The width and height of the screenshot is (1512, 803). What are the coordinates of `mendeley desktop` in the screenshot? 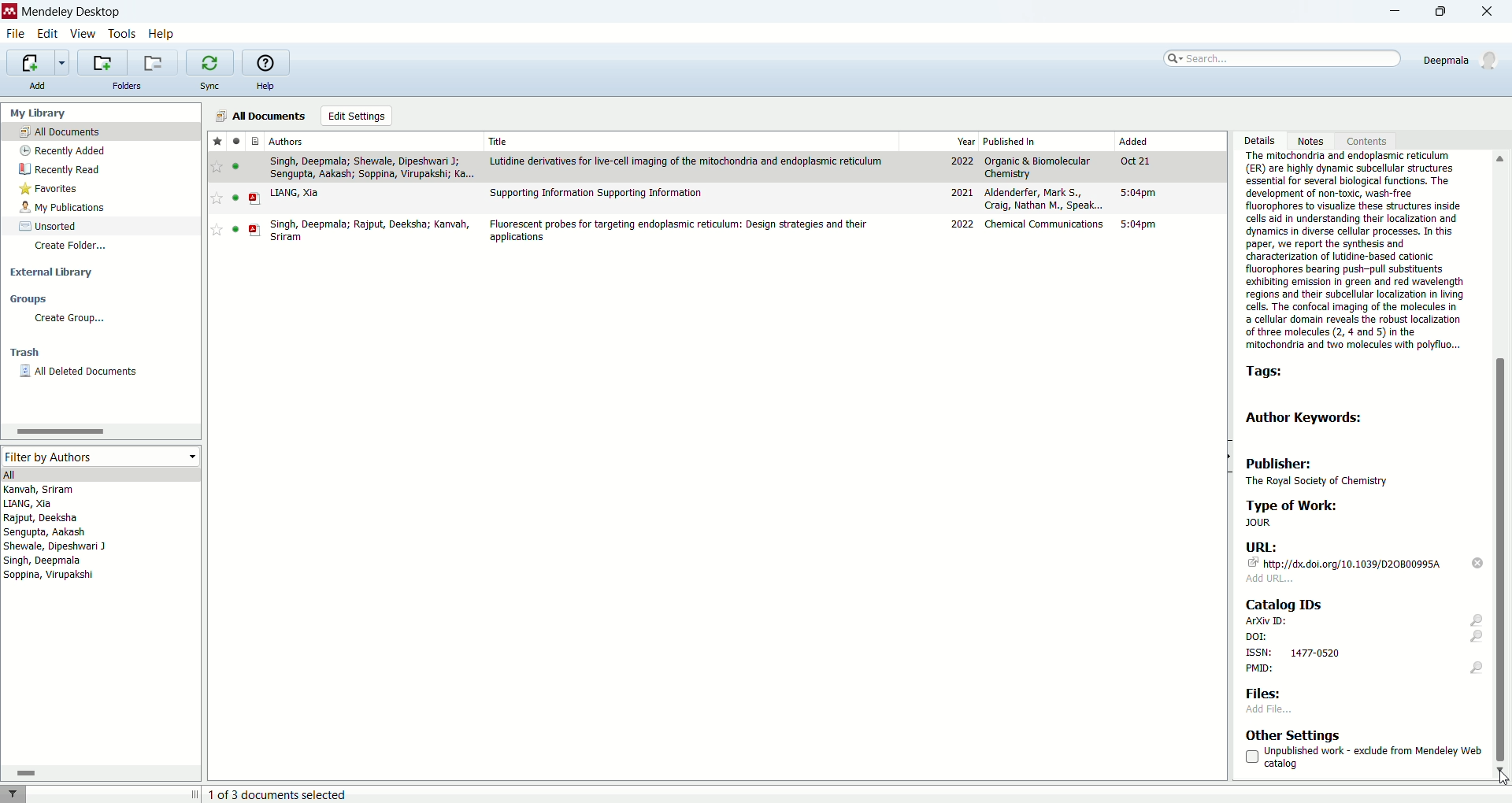 It's located at (72, 14).